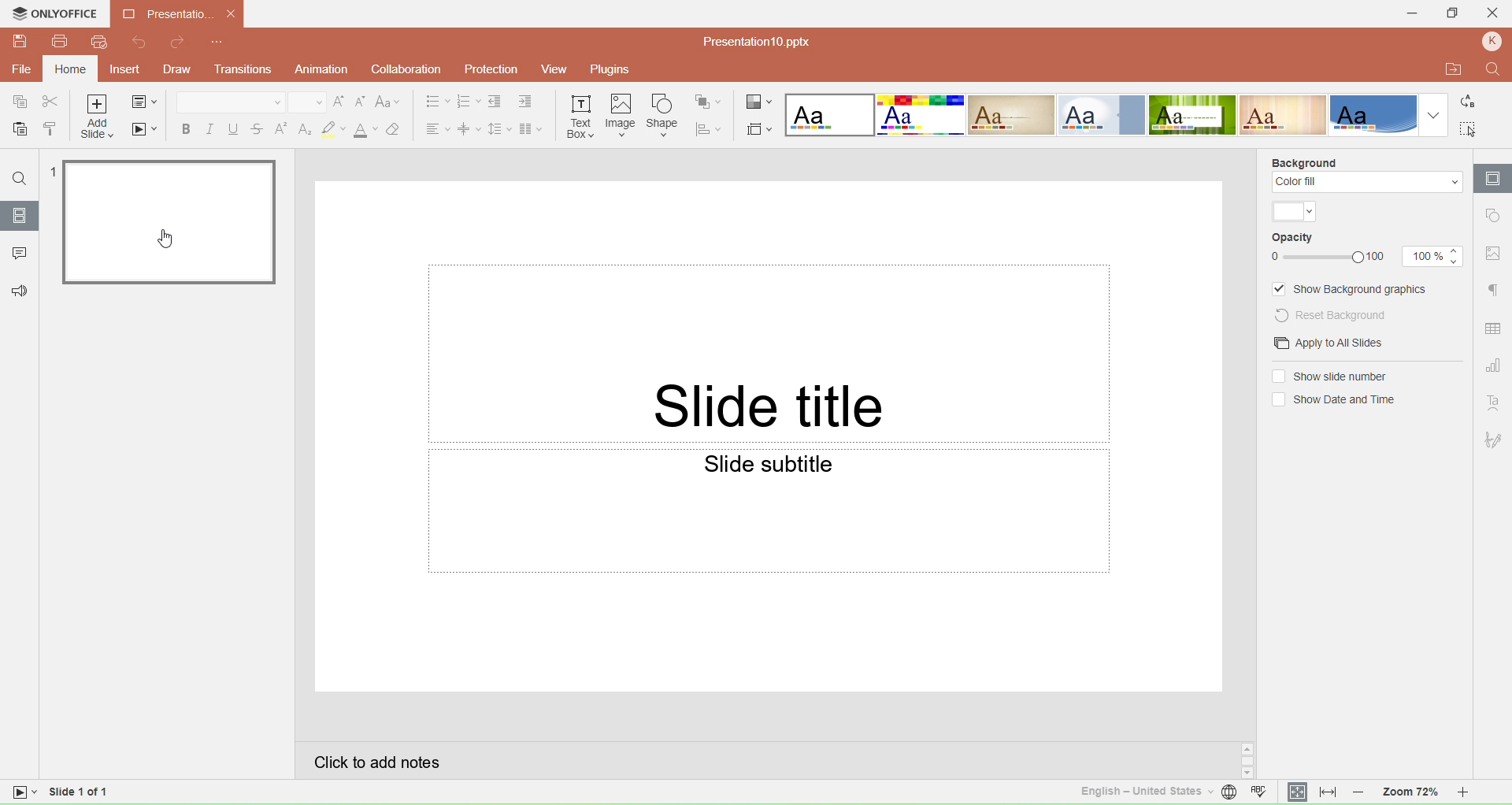 The image size is (1512, 805). Describe the element at coordinates (1495, 439) in the screenshot. I see `Signature setting` at that location.